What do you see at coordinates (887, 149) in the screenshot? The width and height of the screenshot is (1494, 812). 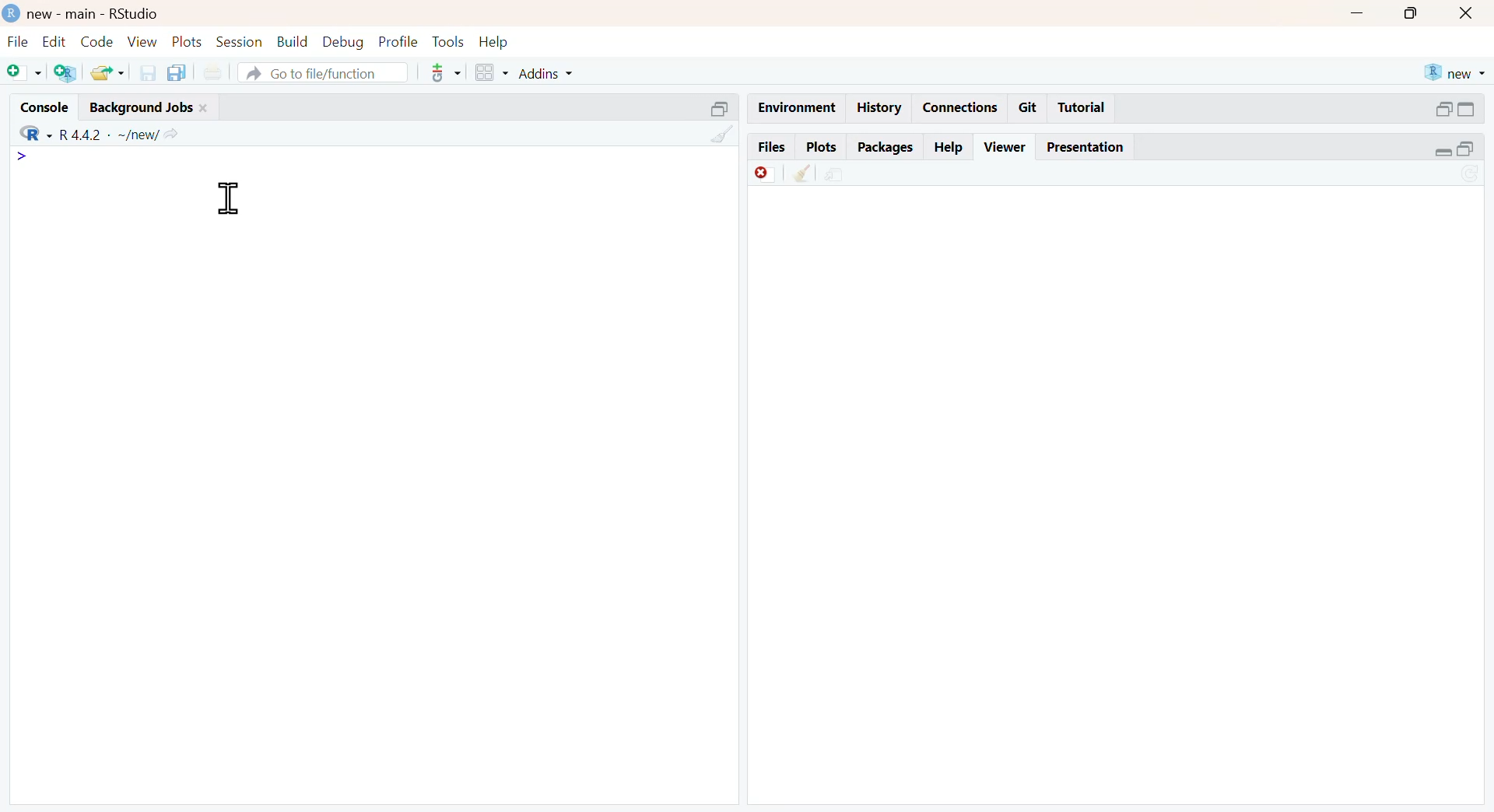 I see `packages` at bounding box center [887, 149].